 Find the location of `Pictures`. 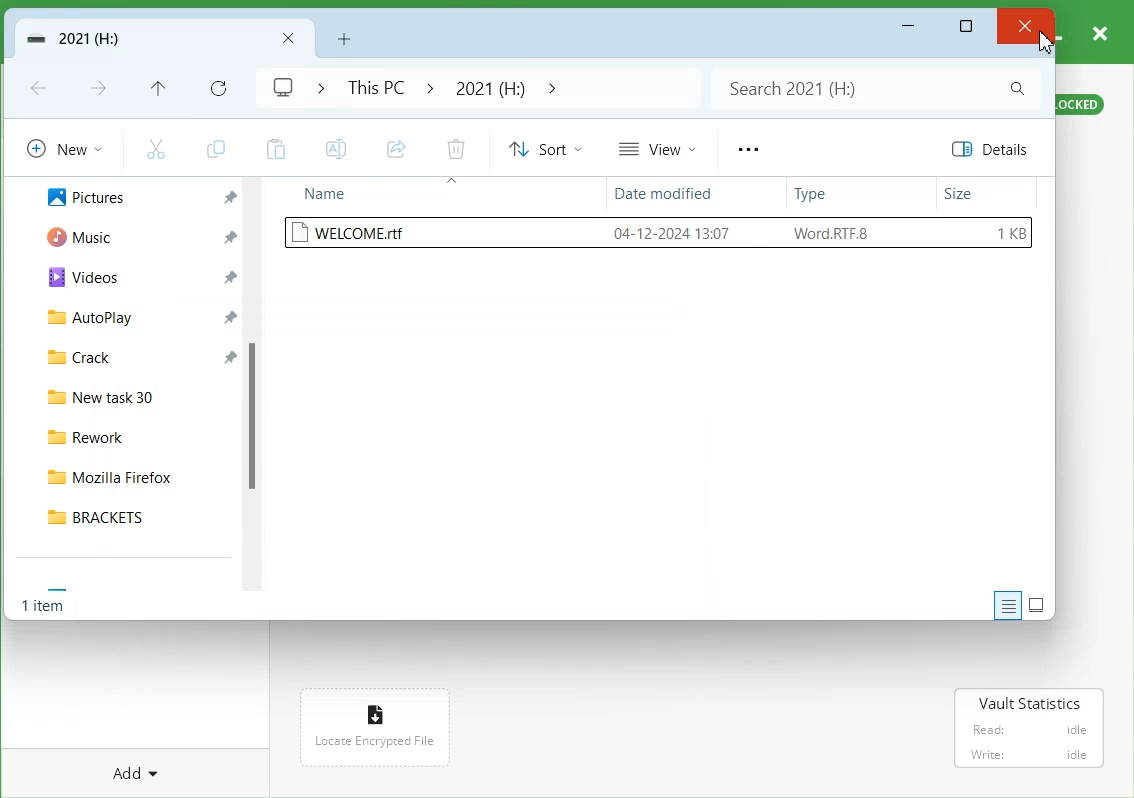

Pictures is located at coordinates (85, 197).